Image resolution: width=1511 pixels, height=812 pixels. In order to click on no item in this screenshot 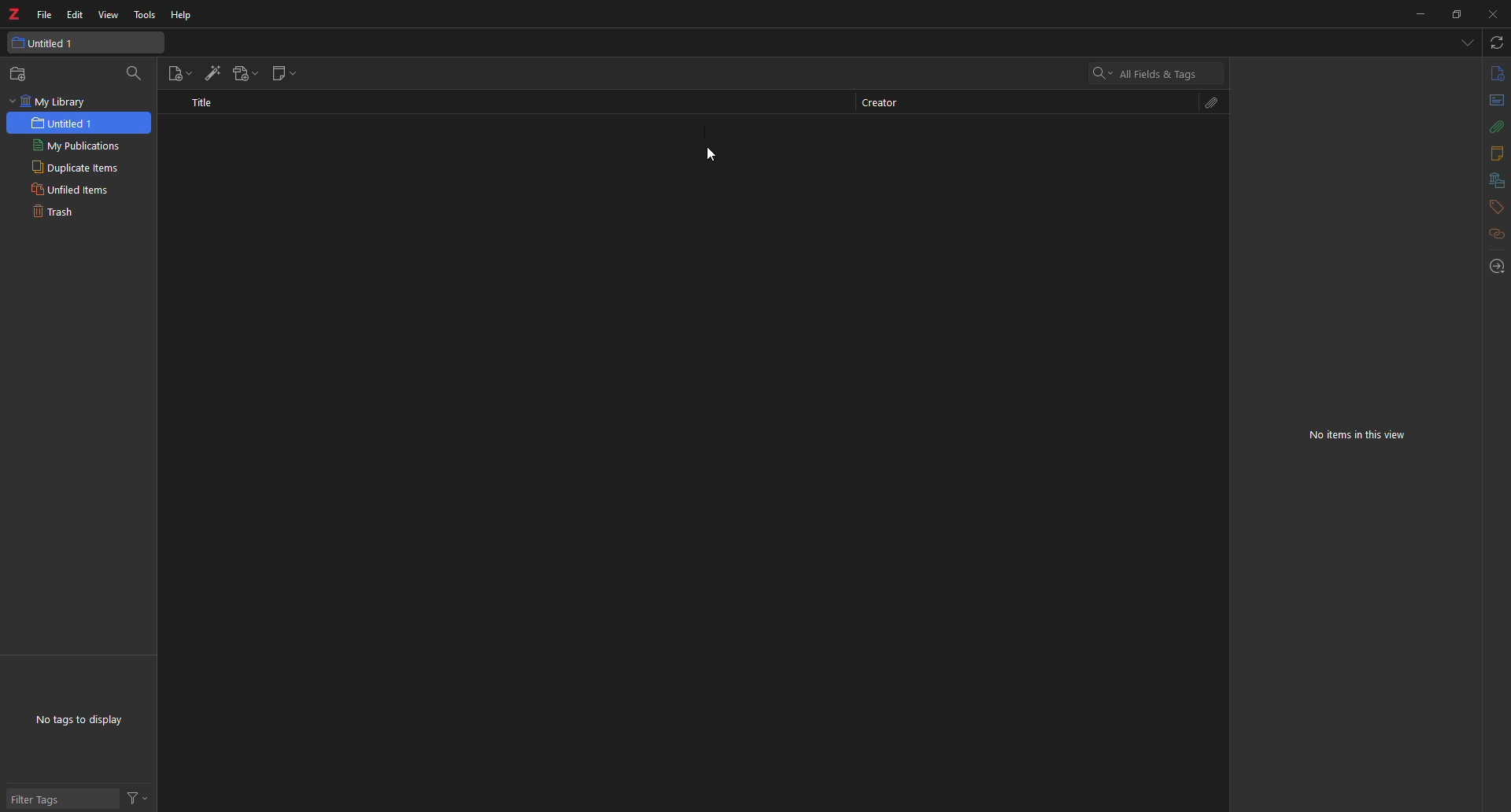, I will do `click(1360, 434)`.